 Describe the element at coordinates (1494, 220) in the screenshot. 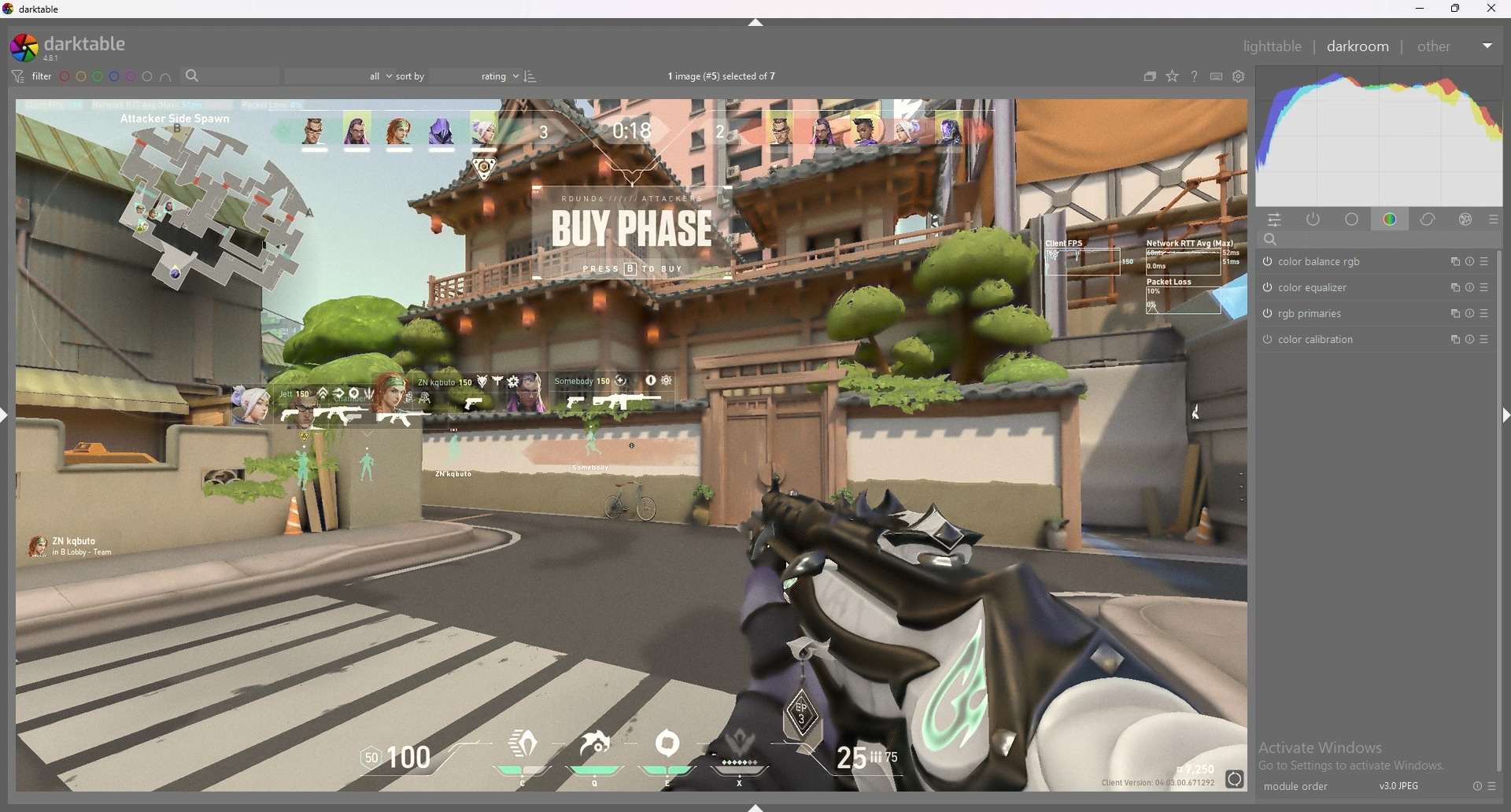

I see `presets` at that location.